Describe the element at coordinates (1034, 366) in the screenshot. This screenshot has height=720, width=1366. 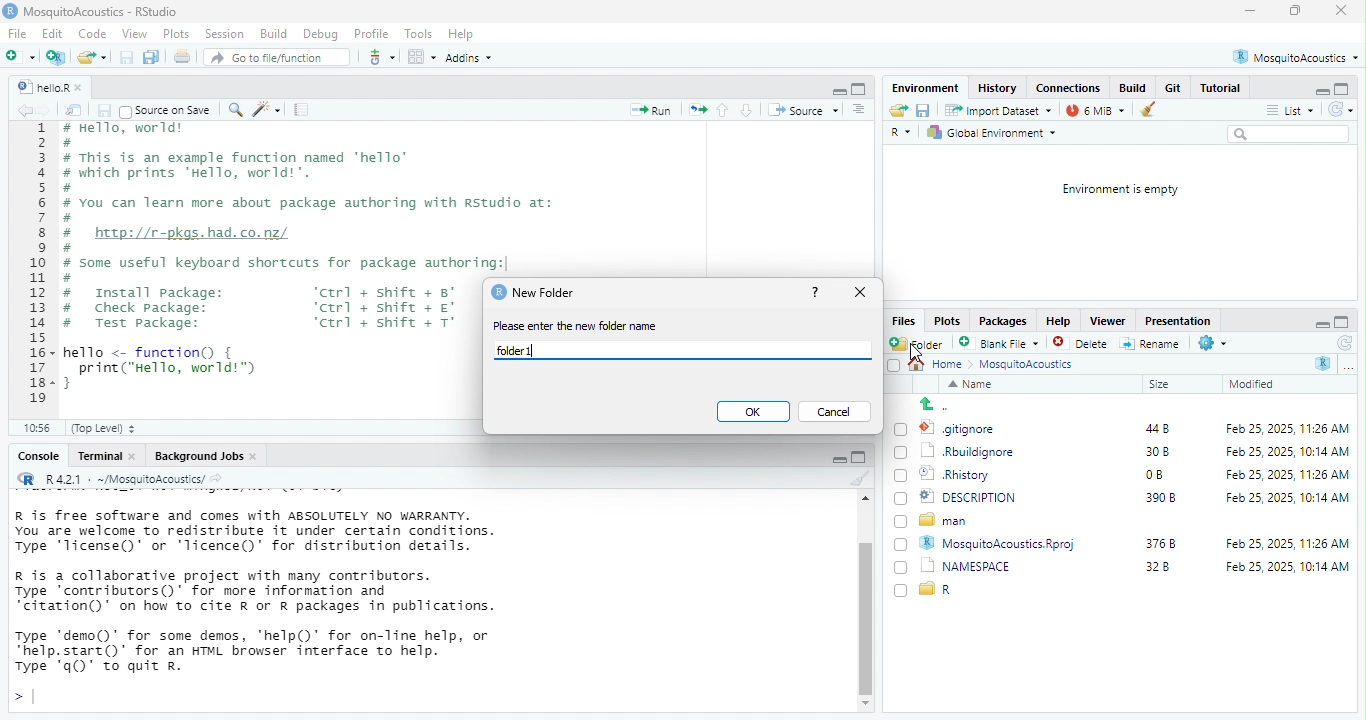
I see `  MosguitoAcoustics` at that location.